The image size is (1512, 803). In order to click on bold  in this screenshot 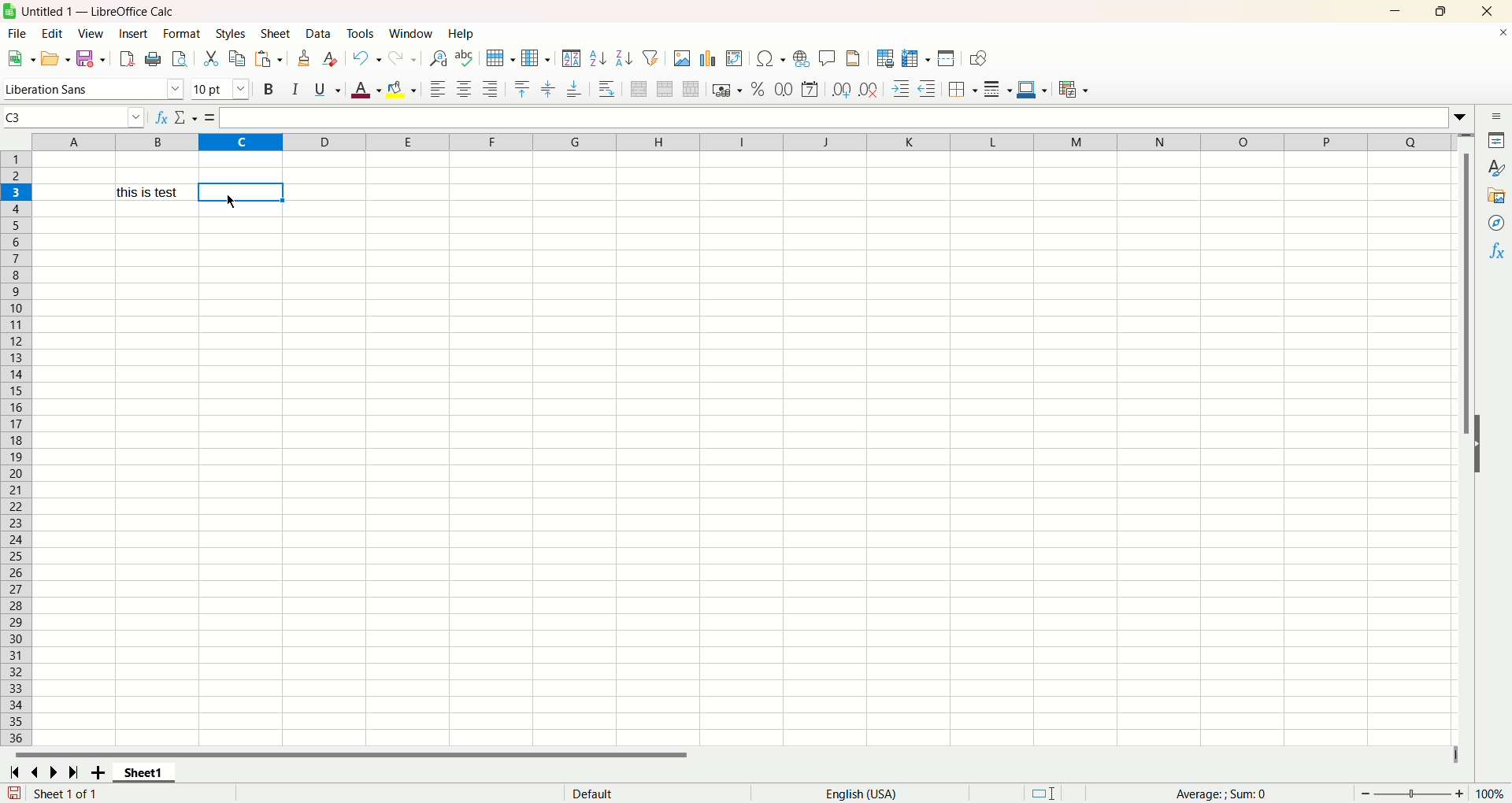, I will do `click(271, 88)`.